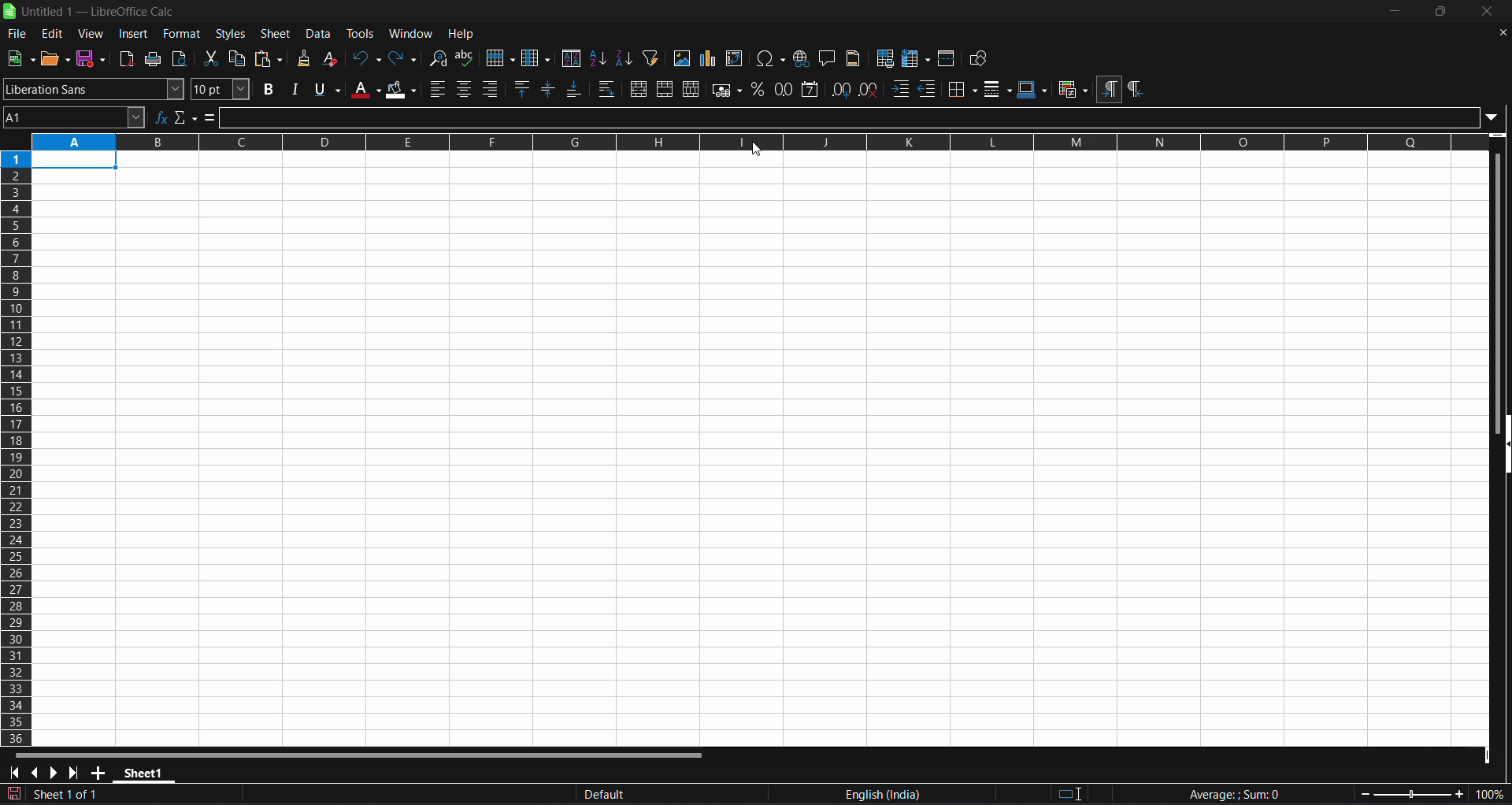  Describe the element at coordinates (625, 57) in the screenshot. I see `sort descending` at that location.